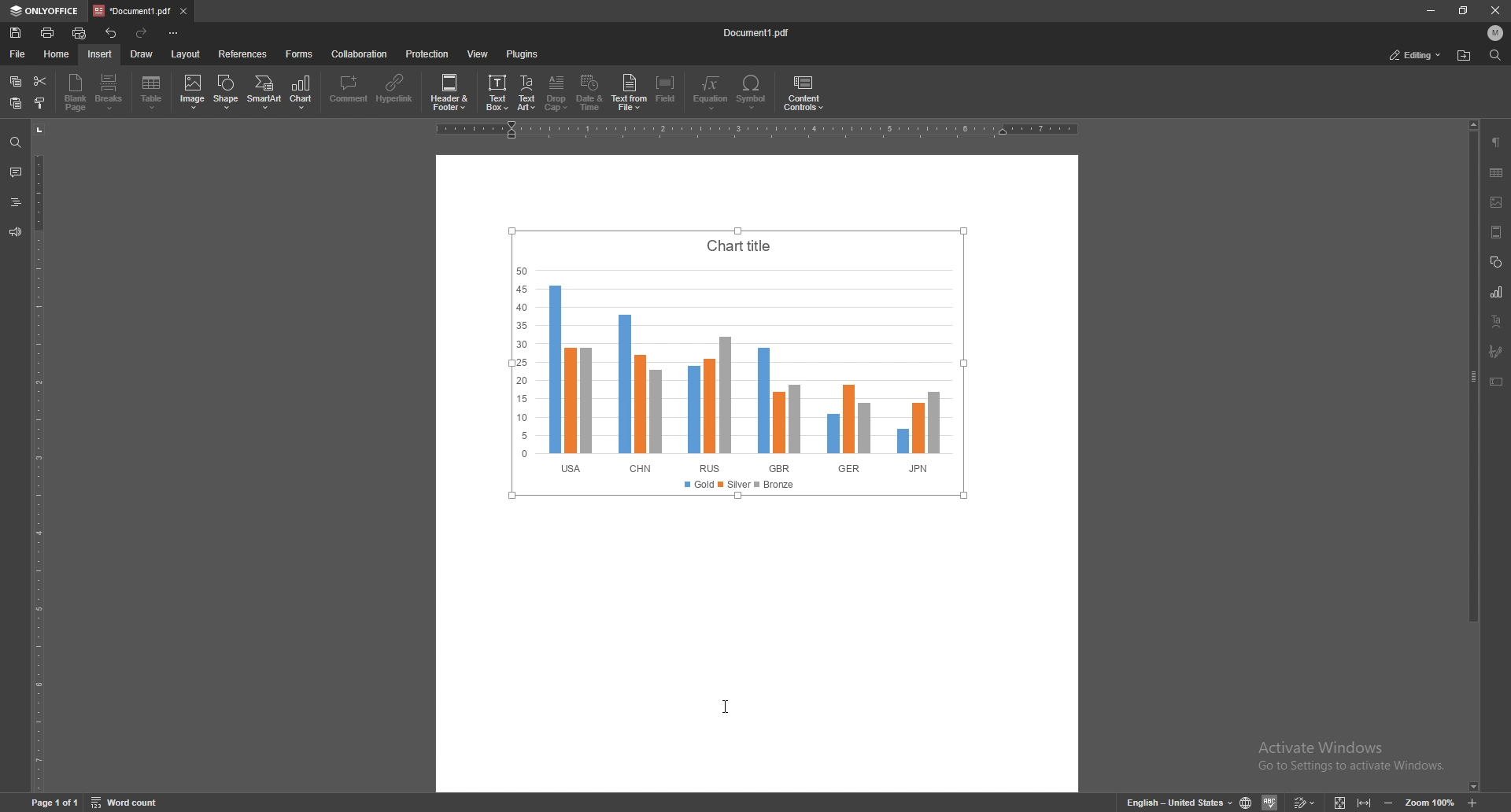  Describe the element at coordinates (112, 94) in the screenshot. I see `Breaks` at that location.